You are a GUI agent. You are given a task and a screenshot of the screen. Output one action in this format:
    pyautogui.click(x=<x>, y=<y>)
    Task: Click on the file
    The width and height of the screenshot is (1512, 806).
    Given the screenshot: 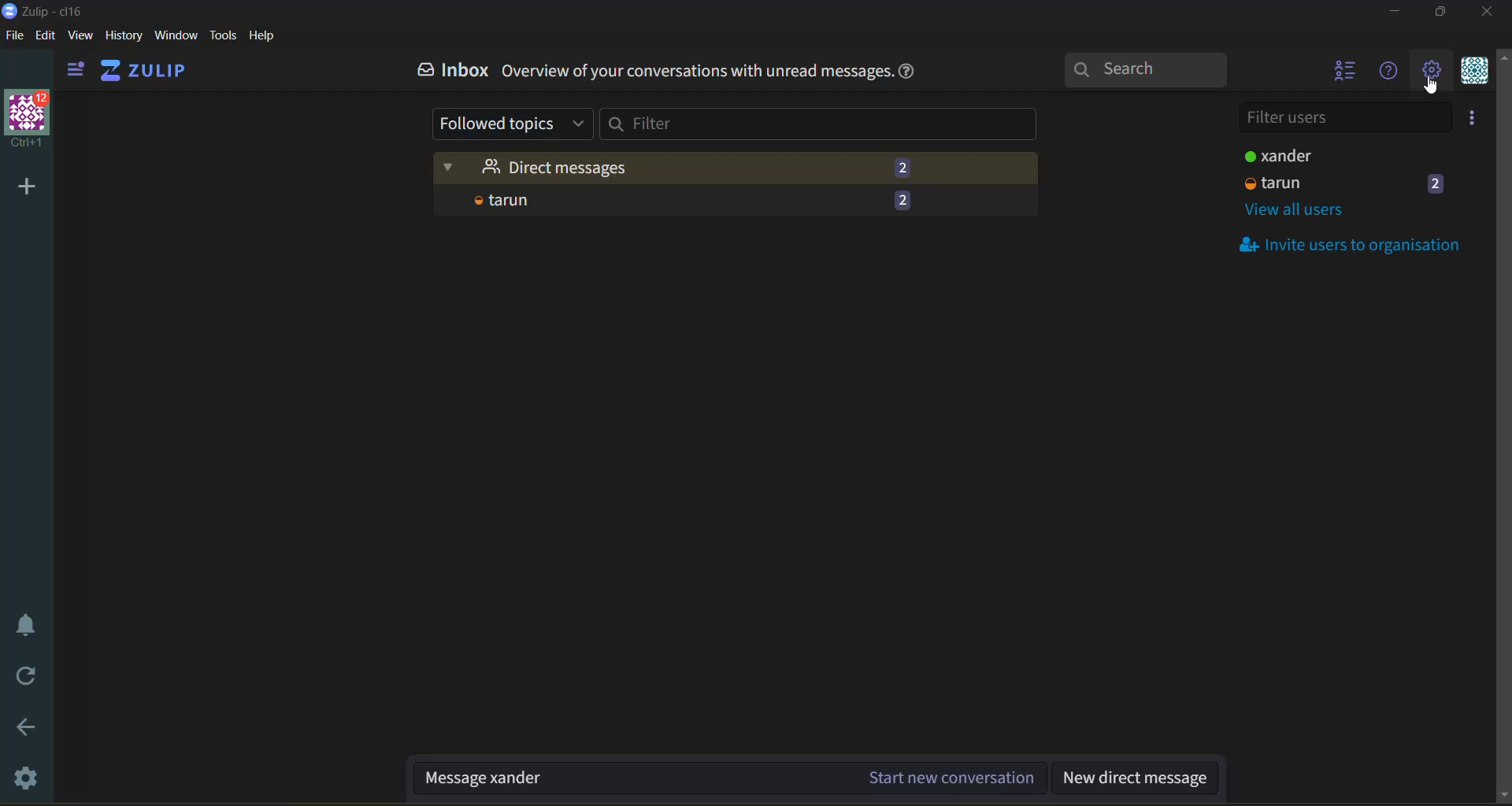 What is the action you would take?
    pyautogui.click(x=13, y=38)
    